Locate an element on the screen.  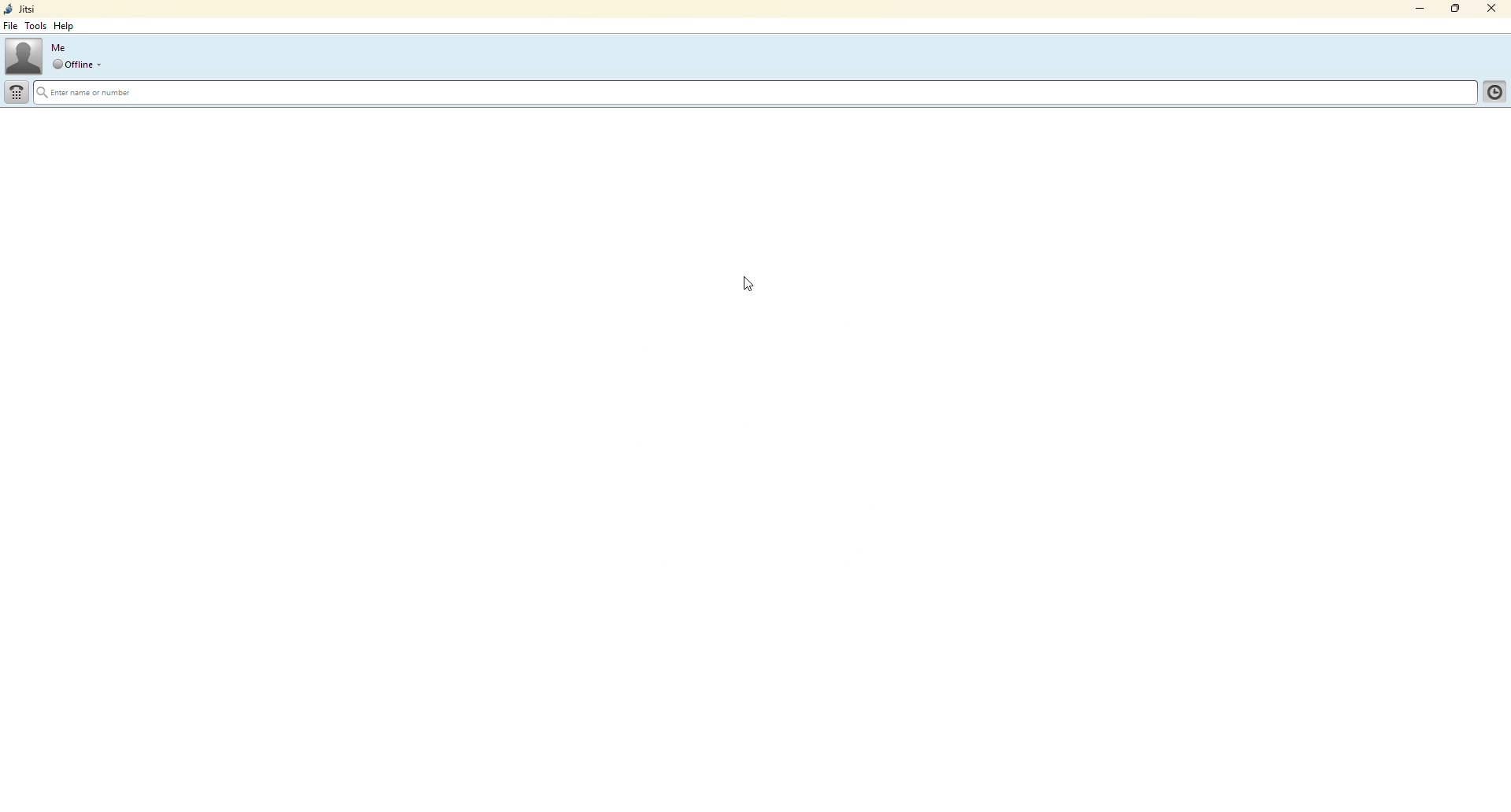
cursor is located at coordinates (758, 289).